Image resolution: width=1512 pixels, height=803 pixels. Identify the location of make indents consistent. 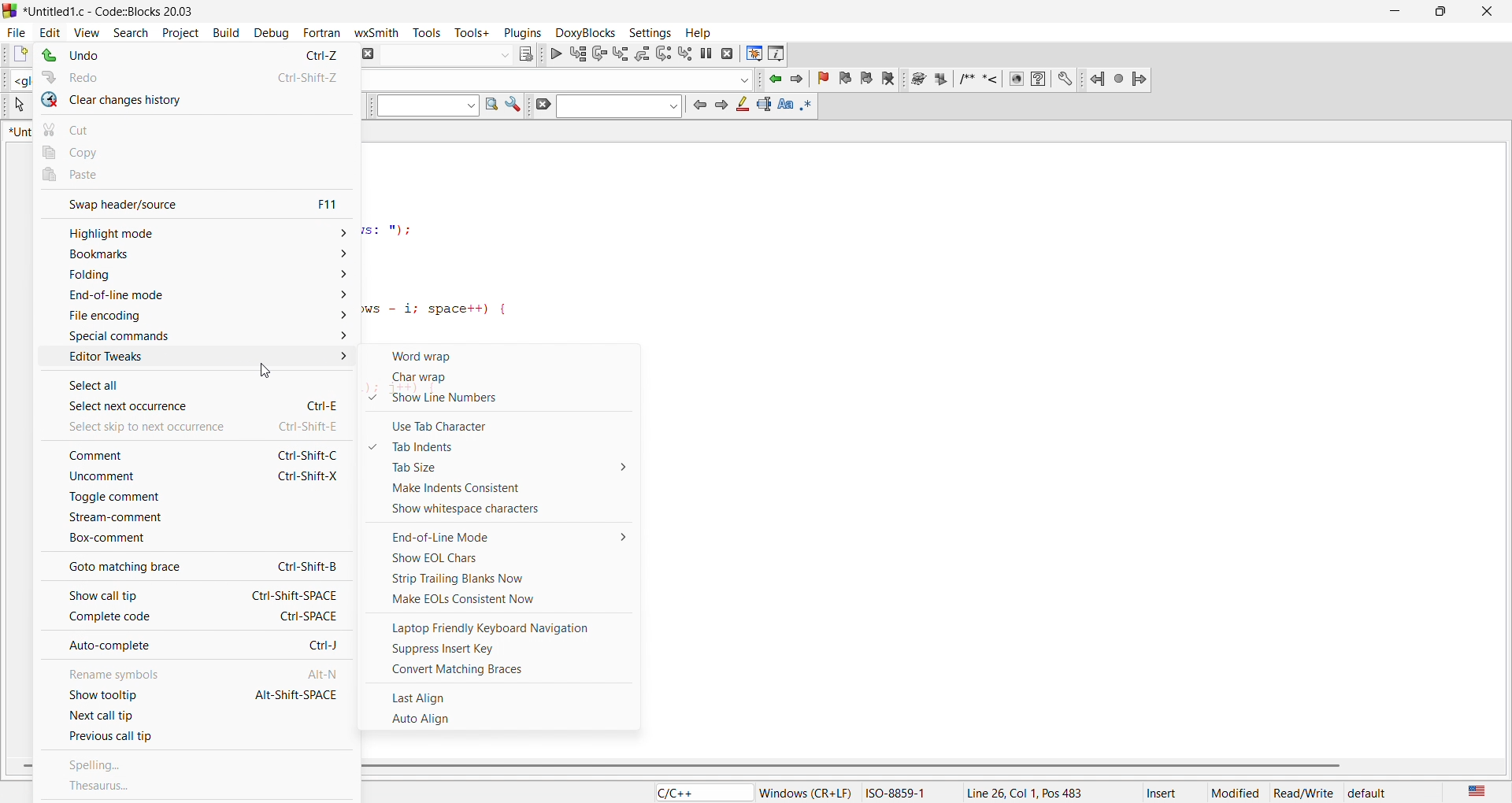
(507, 490).